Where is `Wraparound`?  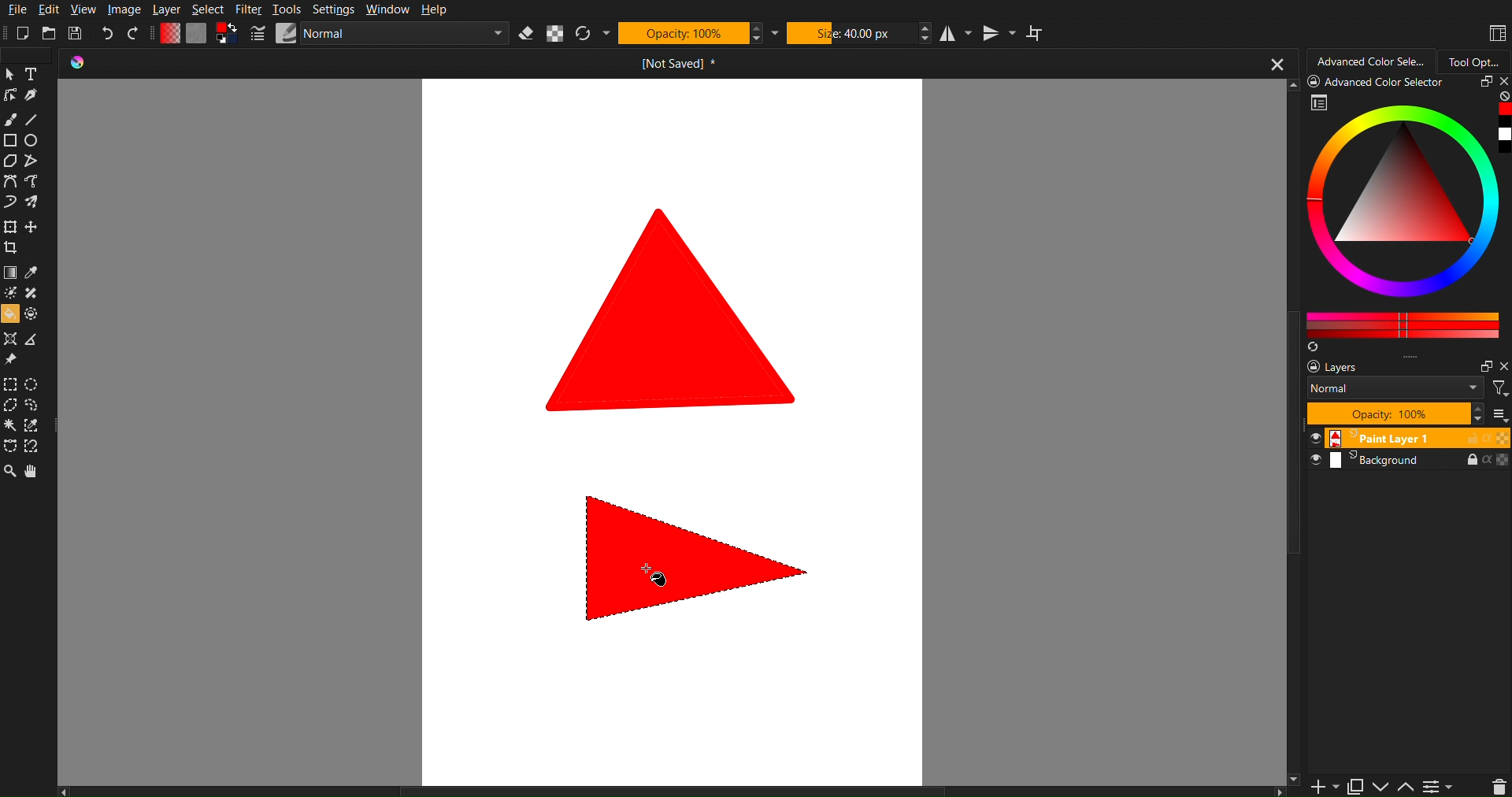
Wraparound is located at coordinates (1037, 33).